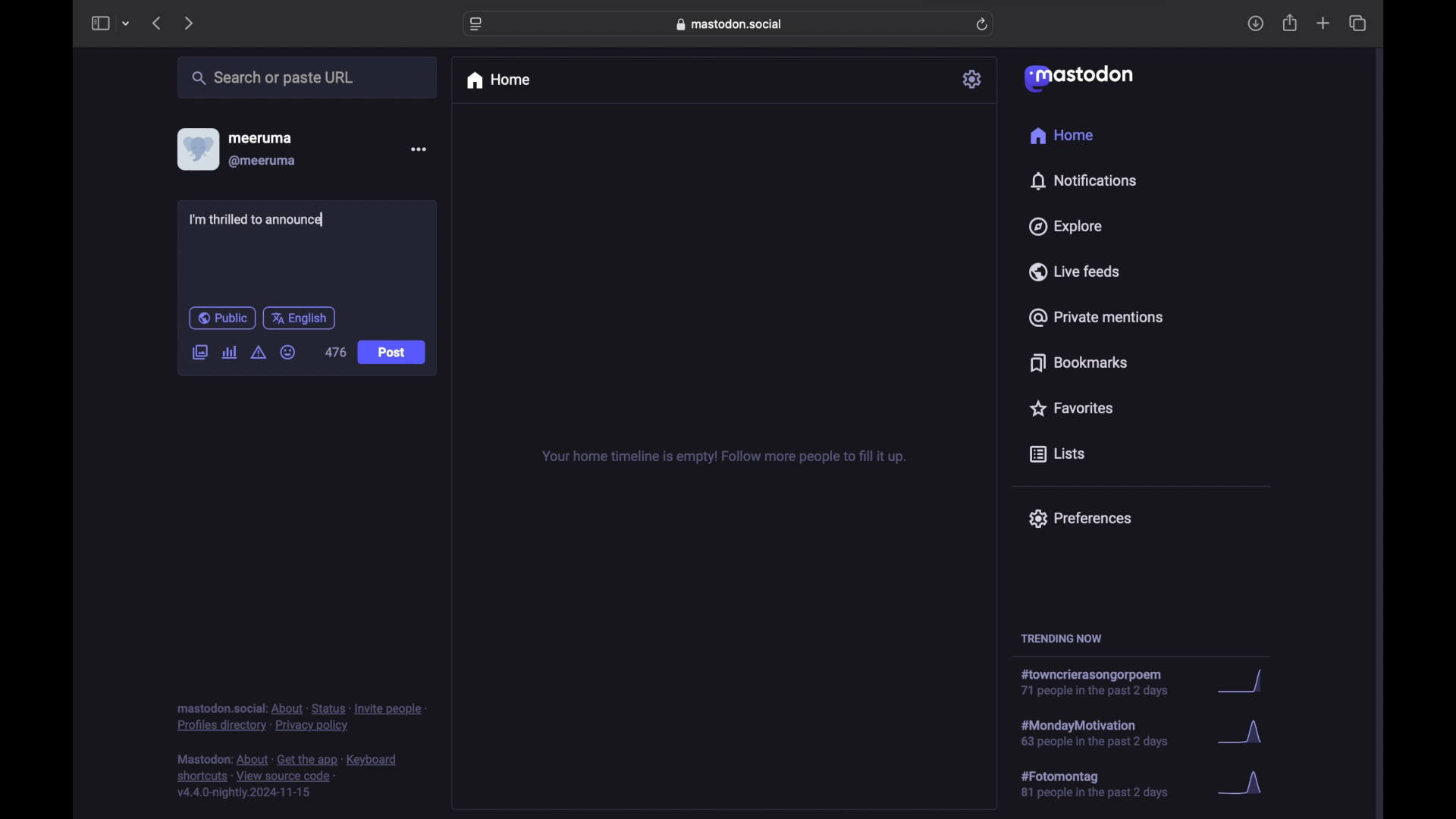 This screenshot has width=1456, height=819. What do you see at coordinates (1095, 317) in the screenshot?
I see `private mentions` at bounding box center [1095, 317].